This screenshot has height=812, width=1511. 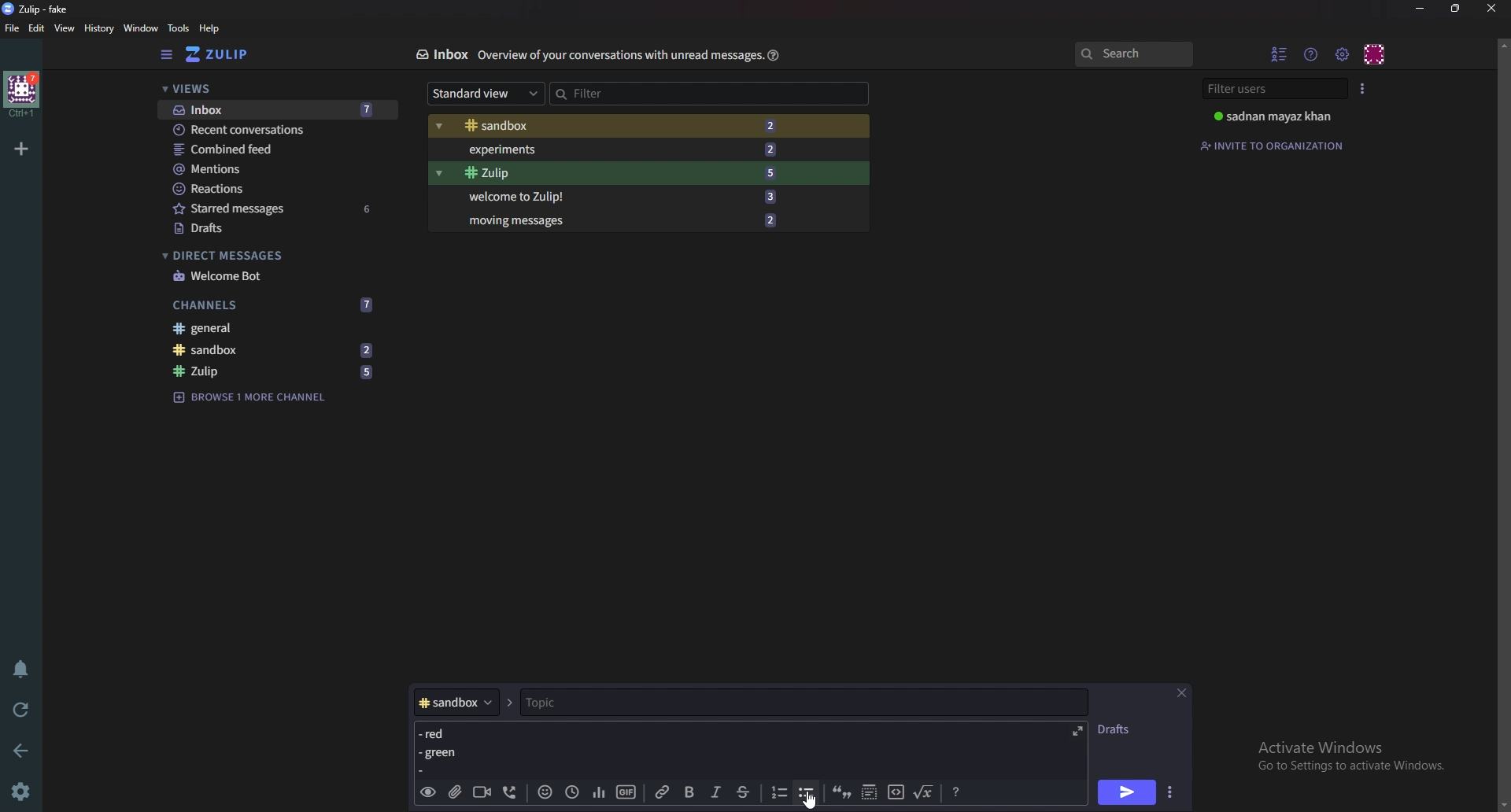 I want to click on Sandbox, so click(x=273, y=349).